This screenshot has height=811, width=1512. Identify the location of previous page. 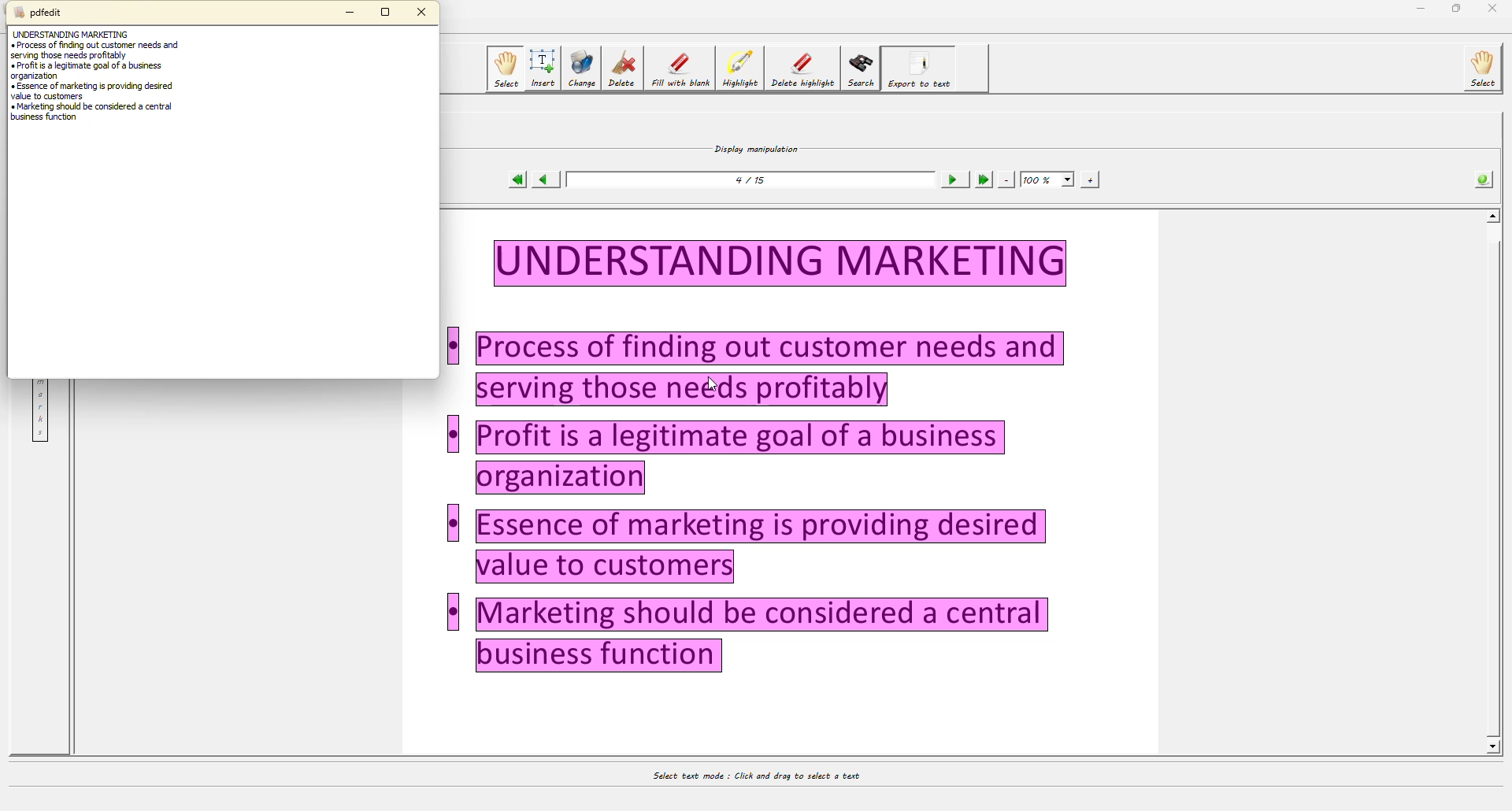
(546, 180).